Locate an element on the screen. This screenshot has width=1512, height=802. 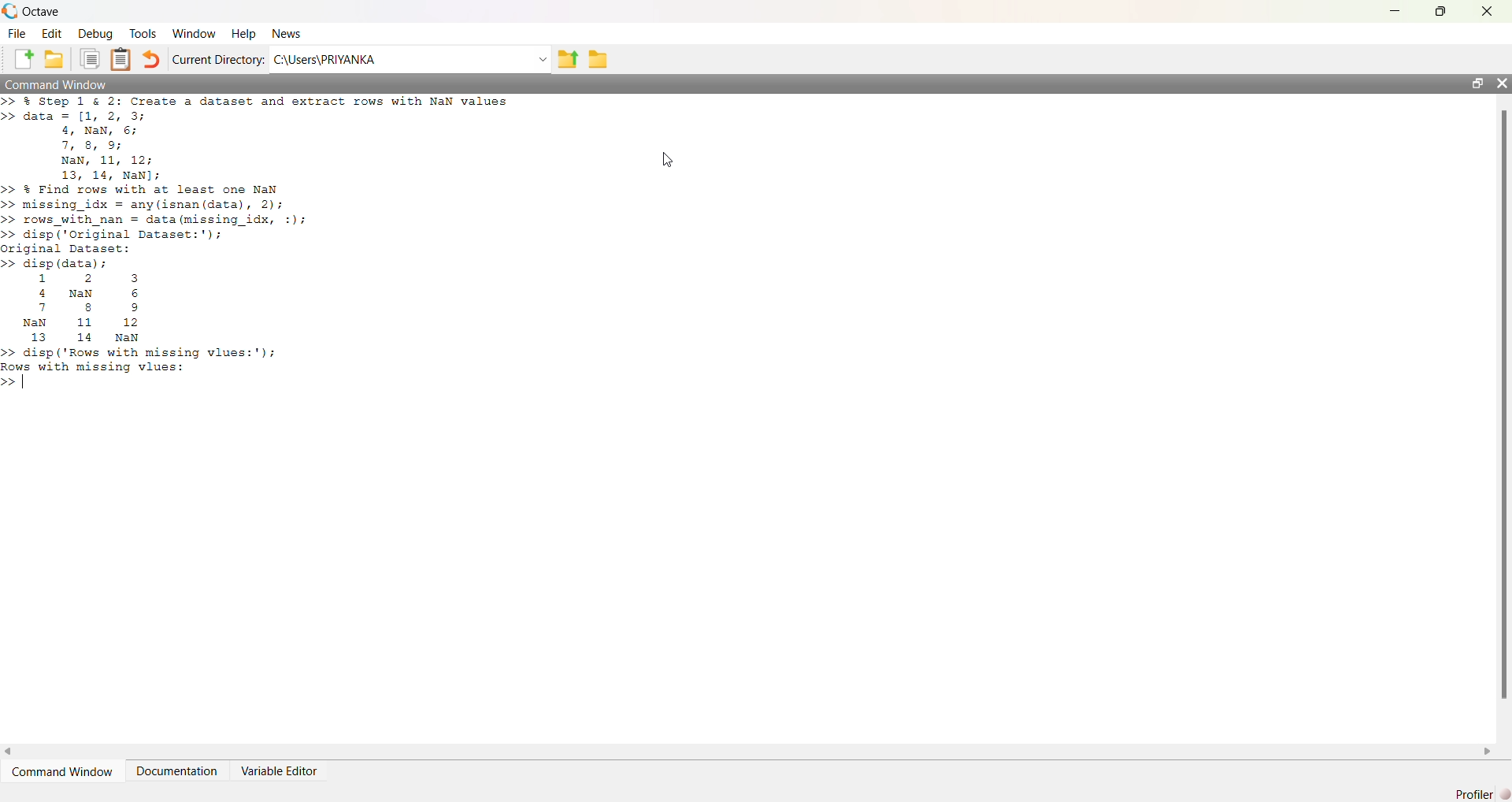
Undo is located at coordinates (150, 59).